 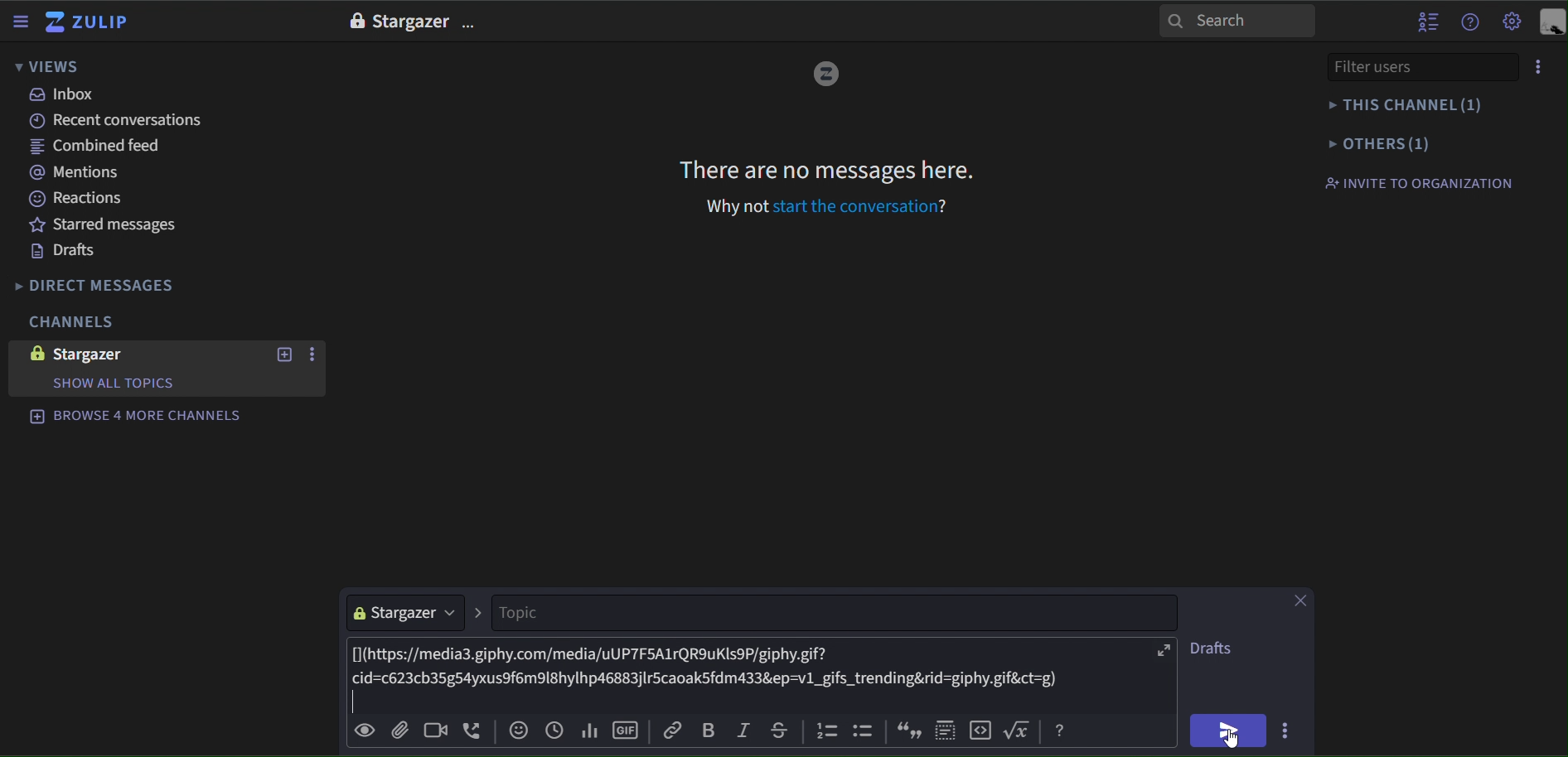 I want to click on bold, so click(x=708, y=730).